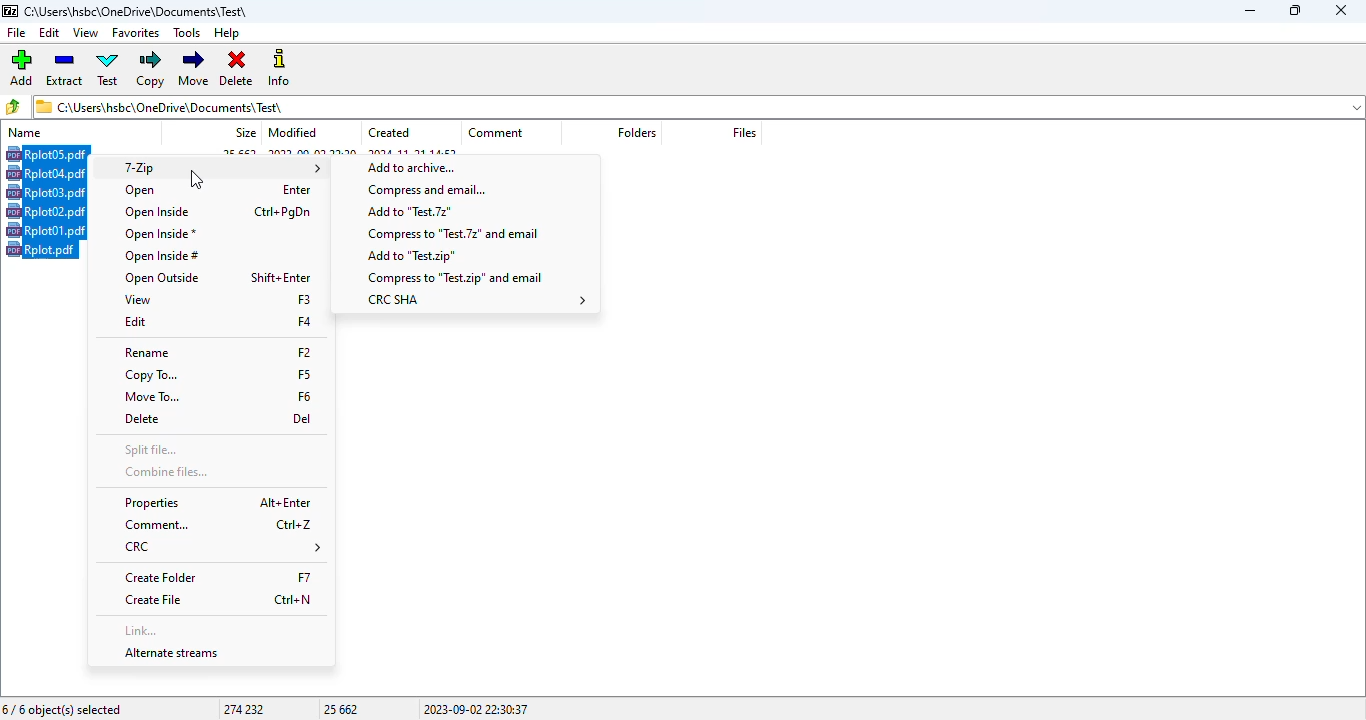 Image resolution: width=1366 pixels, height=720 pixels. I want to click on CRC SHA, so click(477, 300).